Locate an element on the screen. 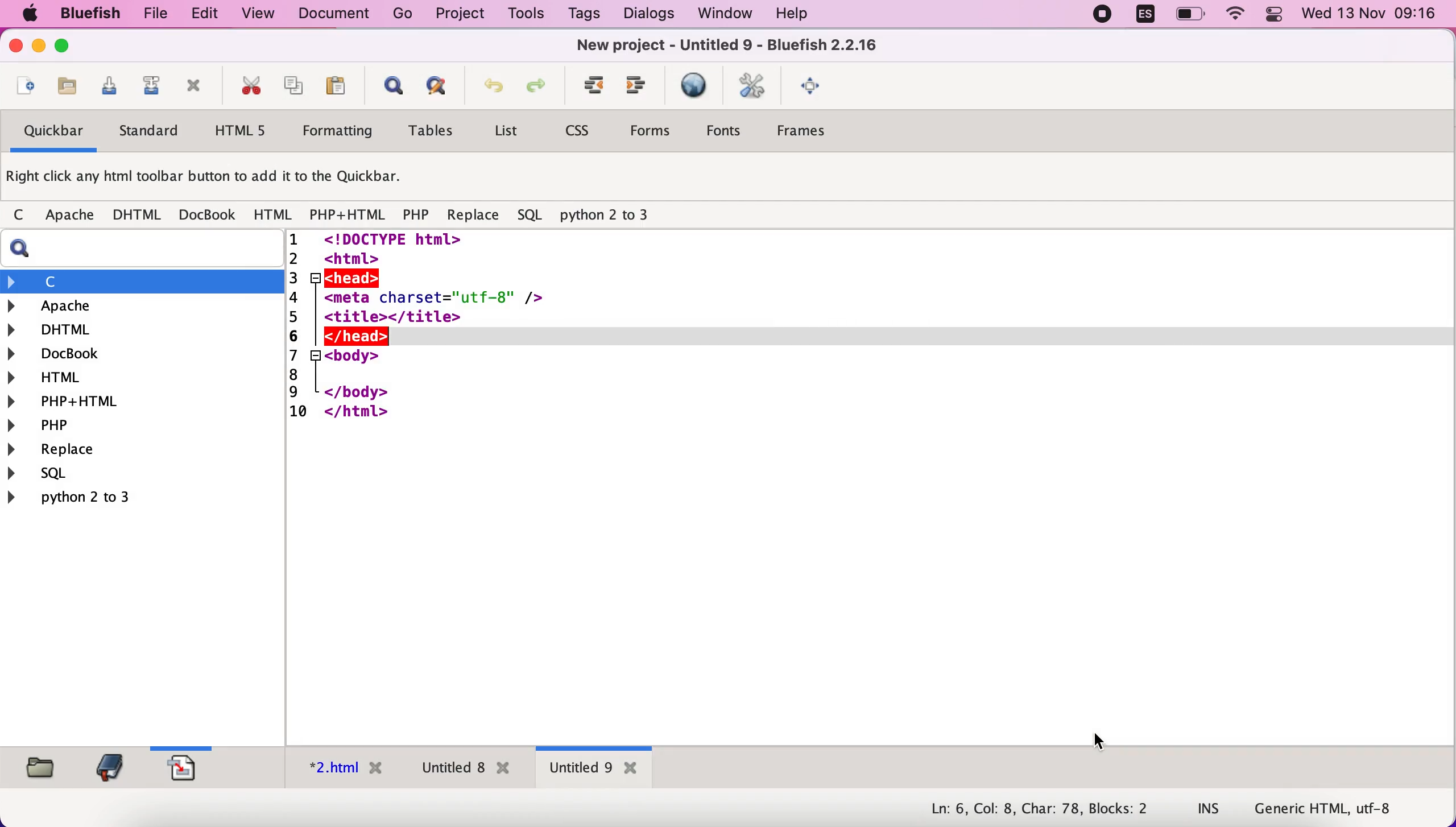 The height and width of the screenshot is (827, 1456). bookmarks is located at coordinates (106, 767).